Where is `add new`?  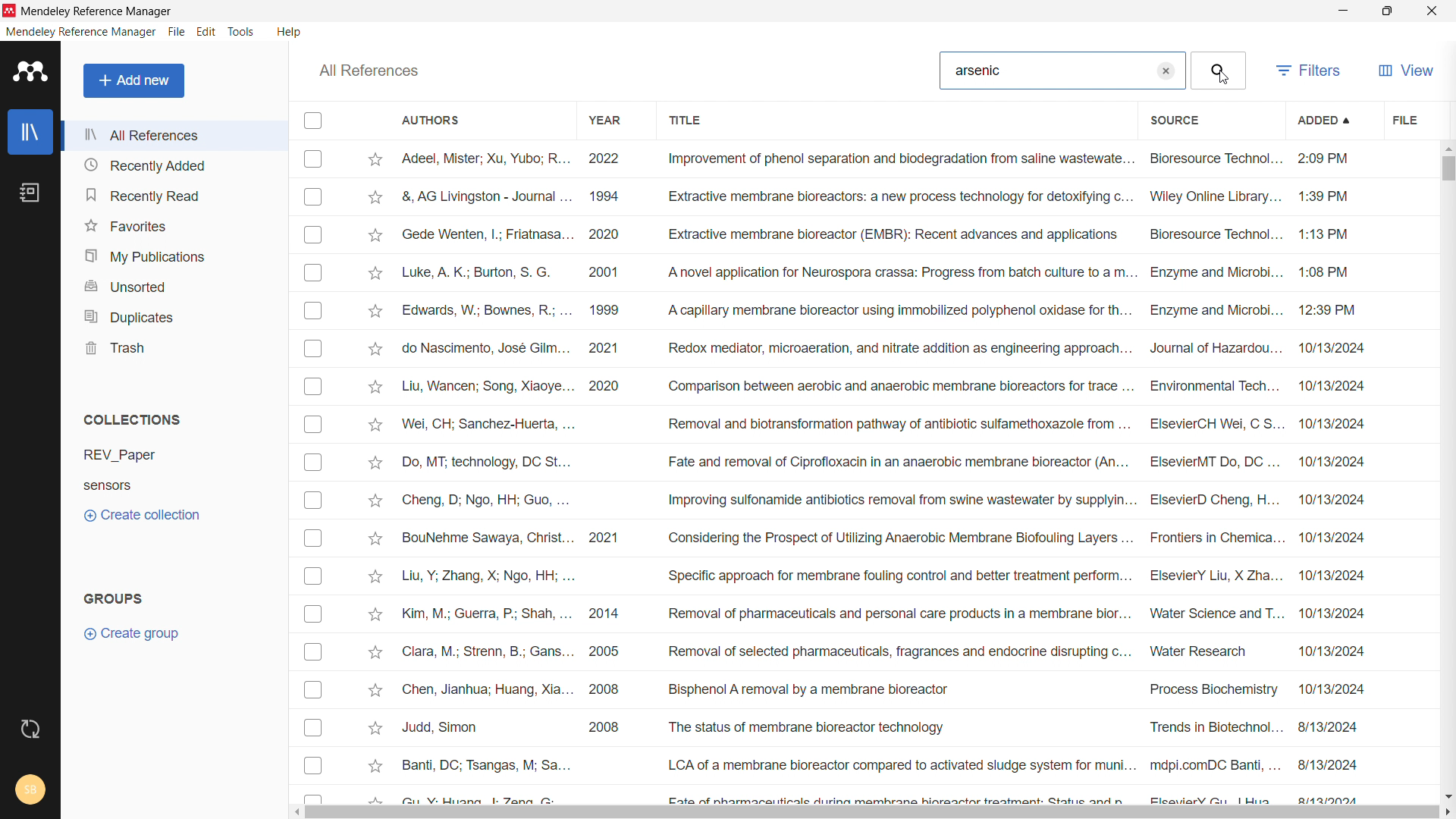
add new is located at coordinates (133, 81).